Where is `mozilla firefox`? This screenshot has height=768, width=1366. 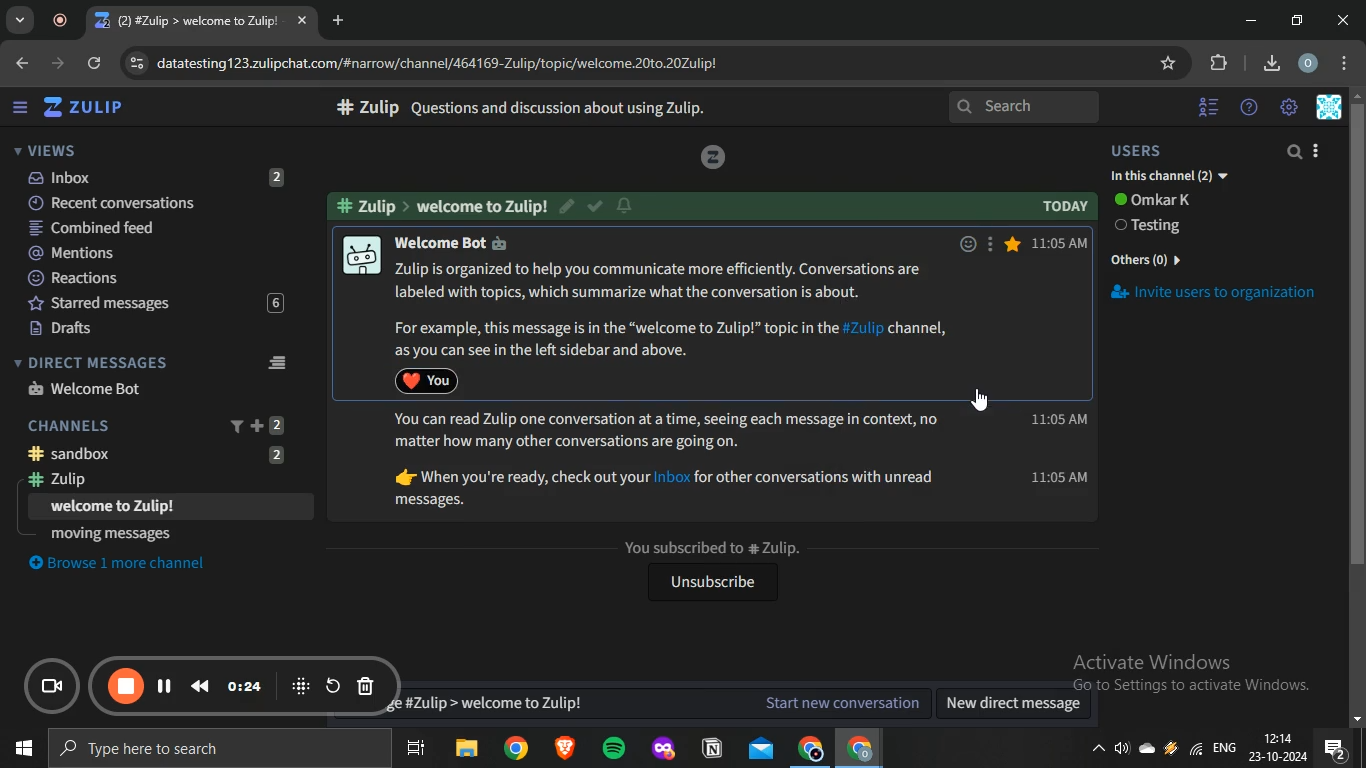
mozilla firefox is located at coordinates (662, 749).